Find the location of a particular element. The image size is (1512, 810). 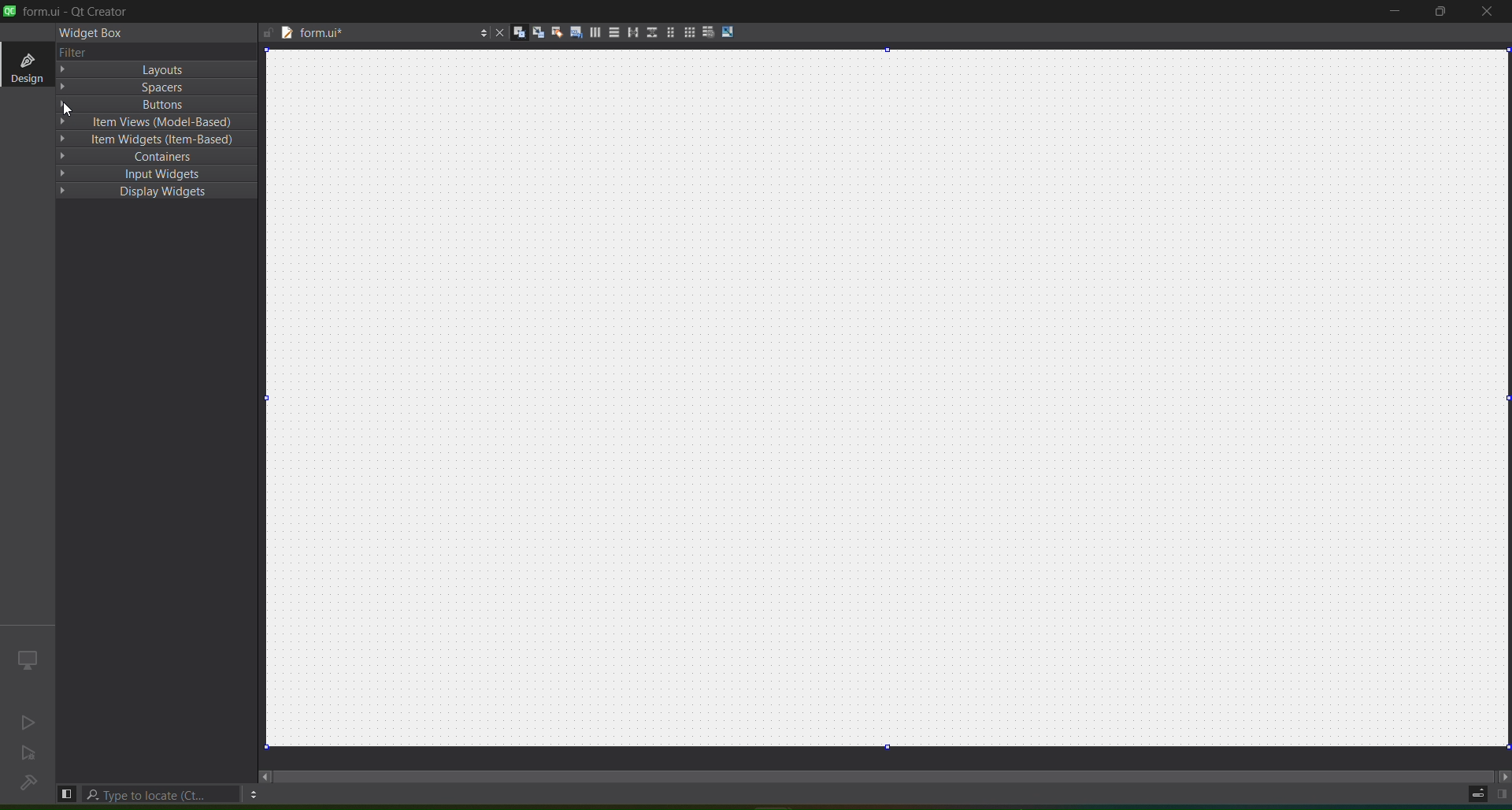

move right is located at coordinates (1503, 773).